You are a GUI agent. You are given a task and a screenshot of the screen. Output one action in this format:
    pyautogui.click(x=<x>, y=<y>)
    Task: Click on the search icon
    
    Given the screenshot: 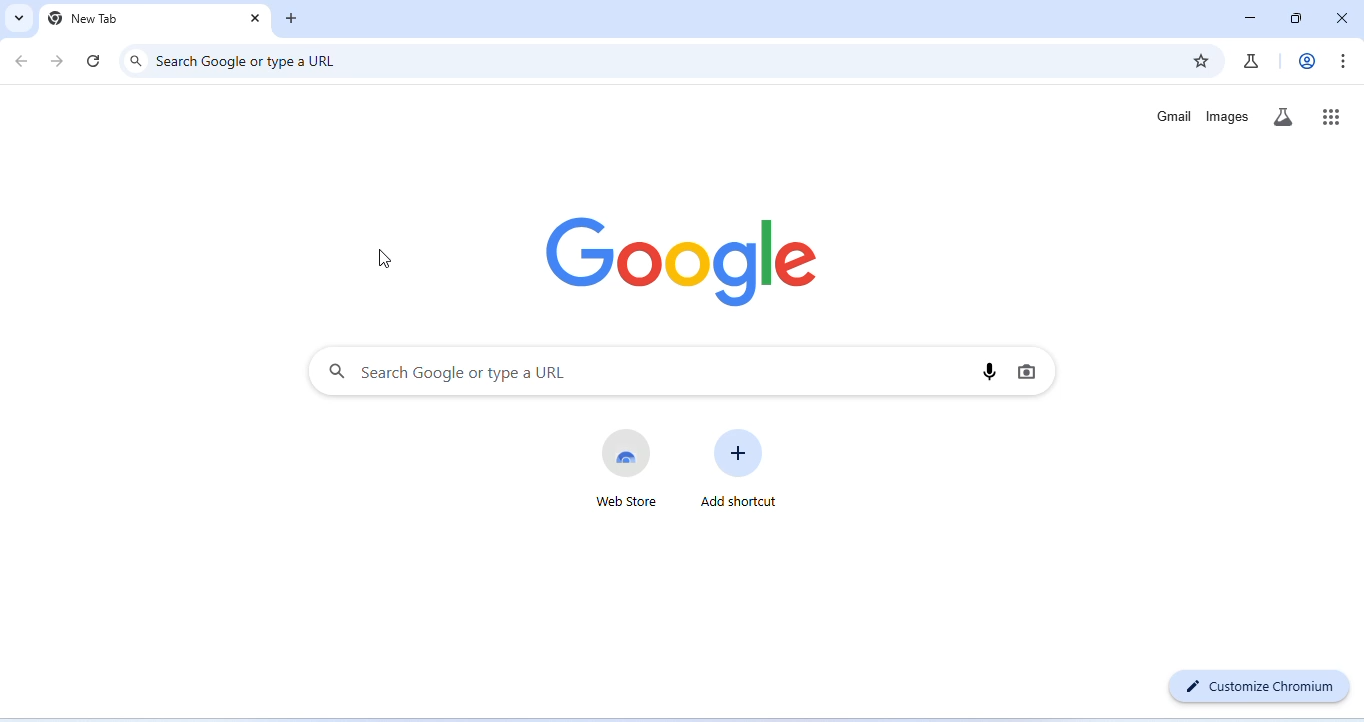 What is the action you would take?
    pyautogui.click(x=138, y=62)
    